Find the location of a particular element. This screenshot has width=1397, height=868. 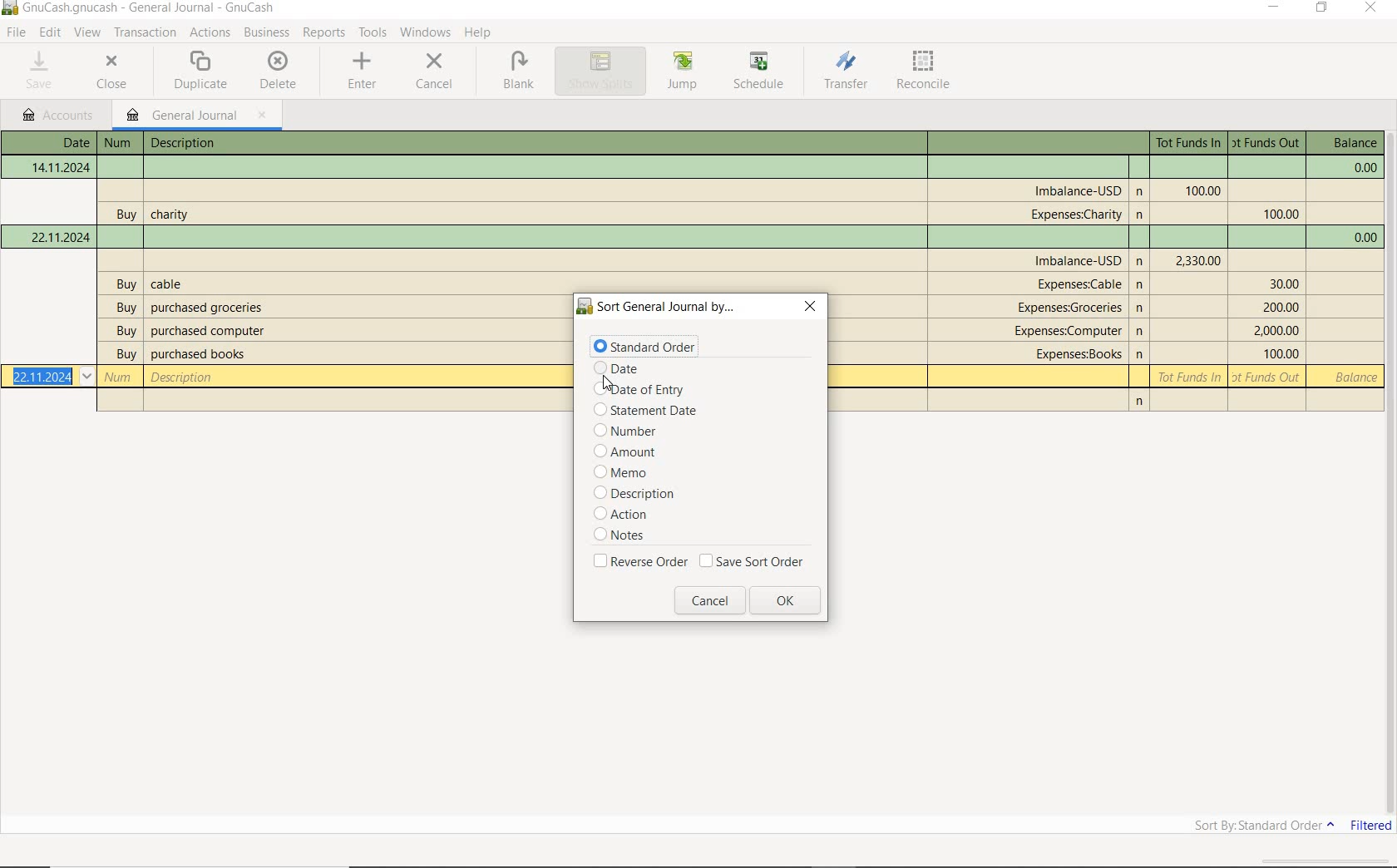

n is located at coordinates (1140, 403).